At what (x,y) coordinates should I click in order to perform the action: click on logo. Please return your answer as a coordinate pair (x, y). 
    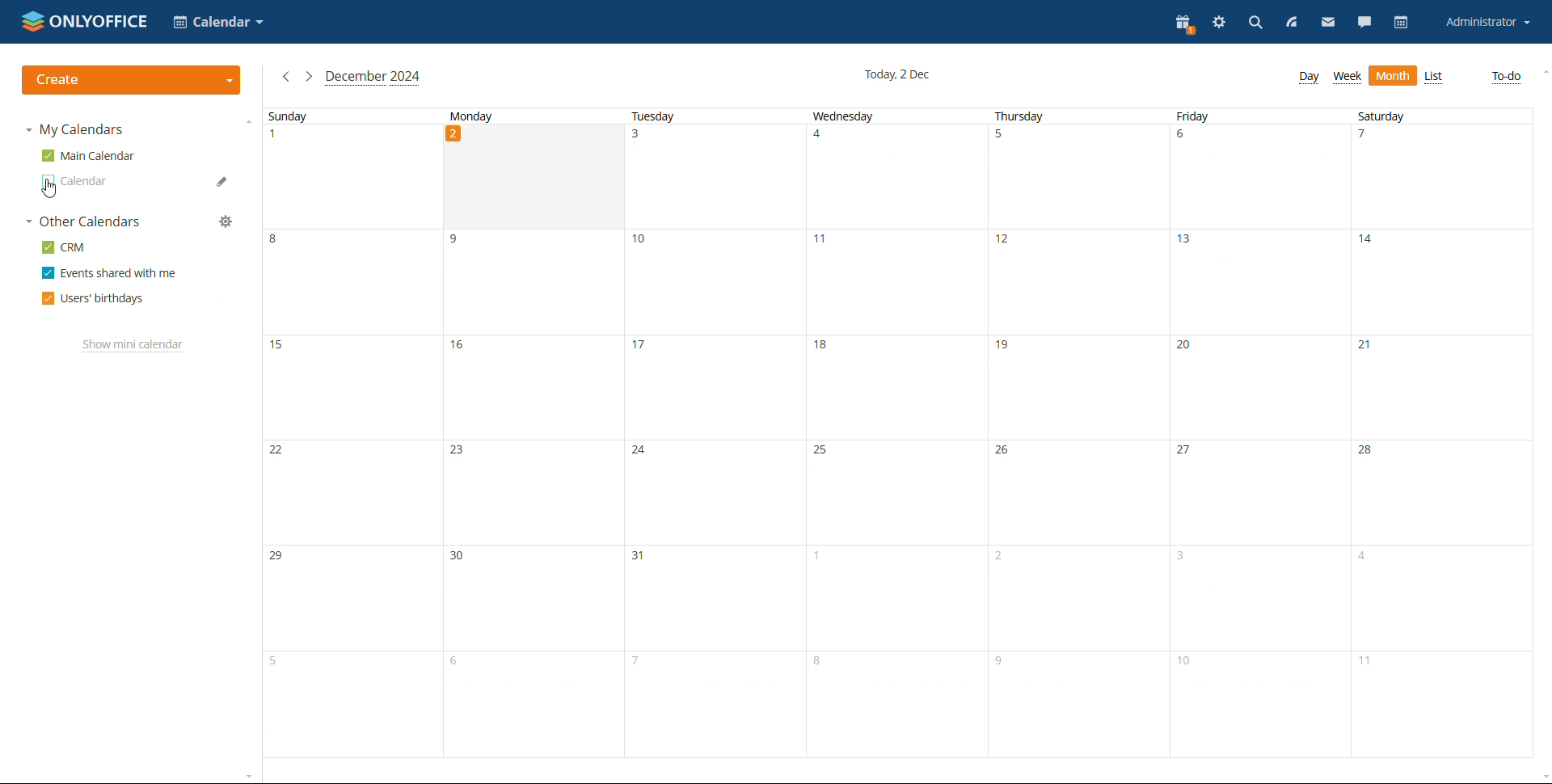
    Looking at the image, I should click on (84, 22).